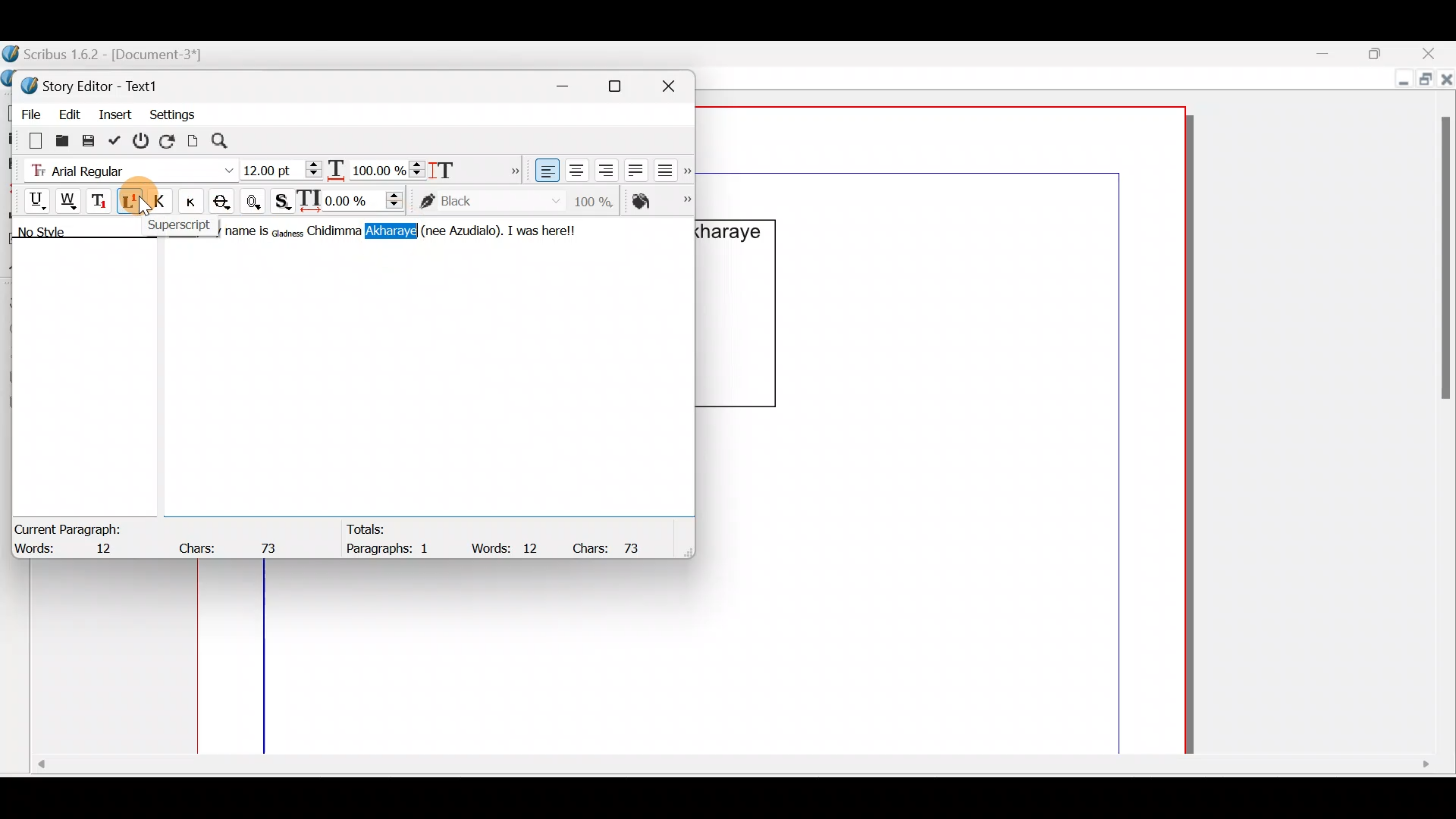  I want to click on Underline words only, so click(70, 200).